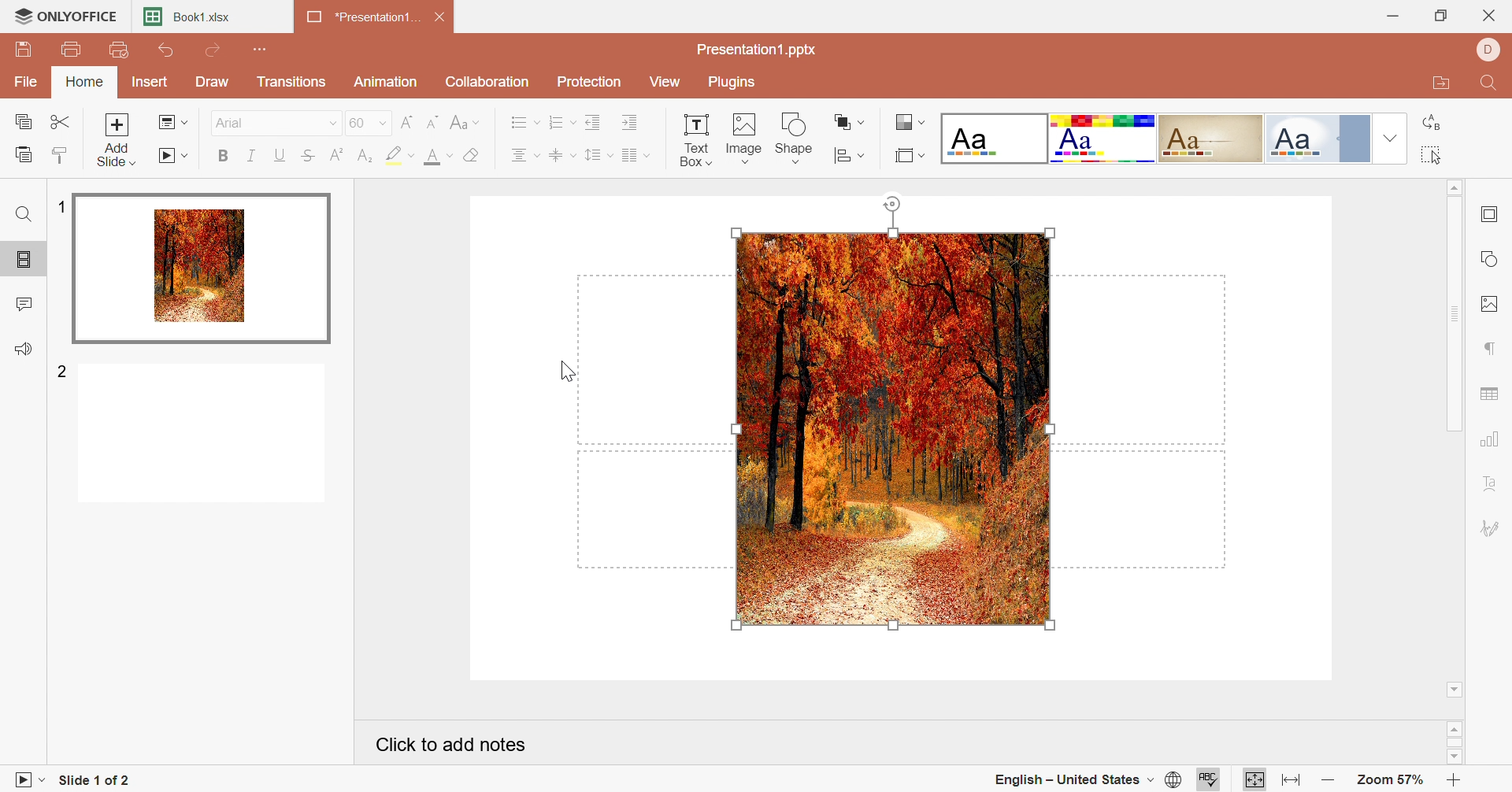 The height and width of the screenshot is (792, 1512). I want to click on Bold, so click(223, 158).